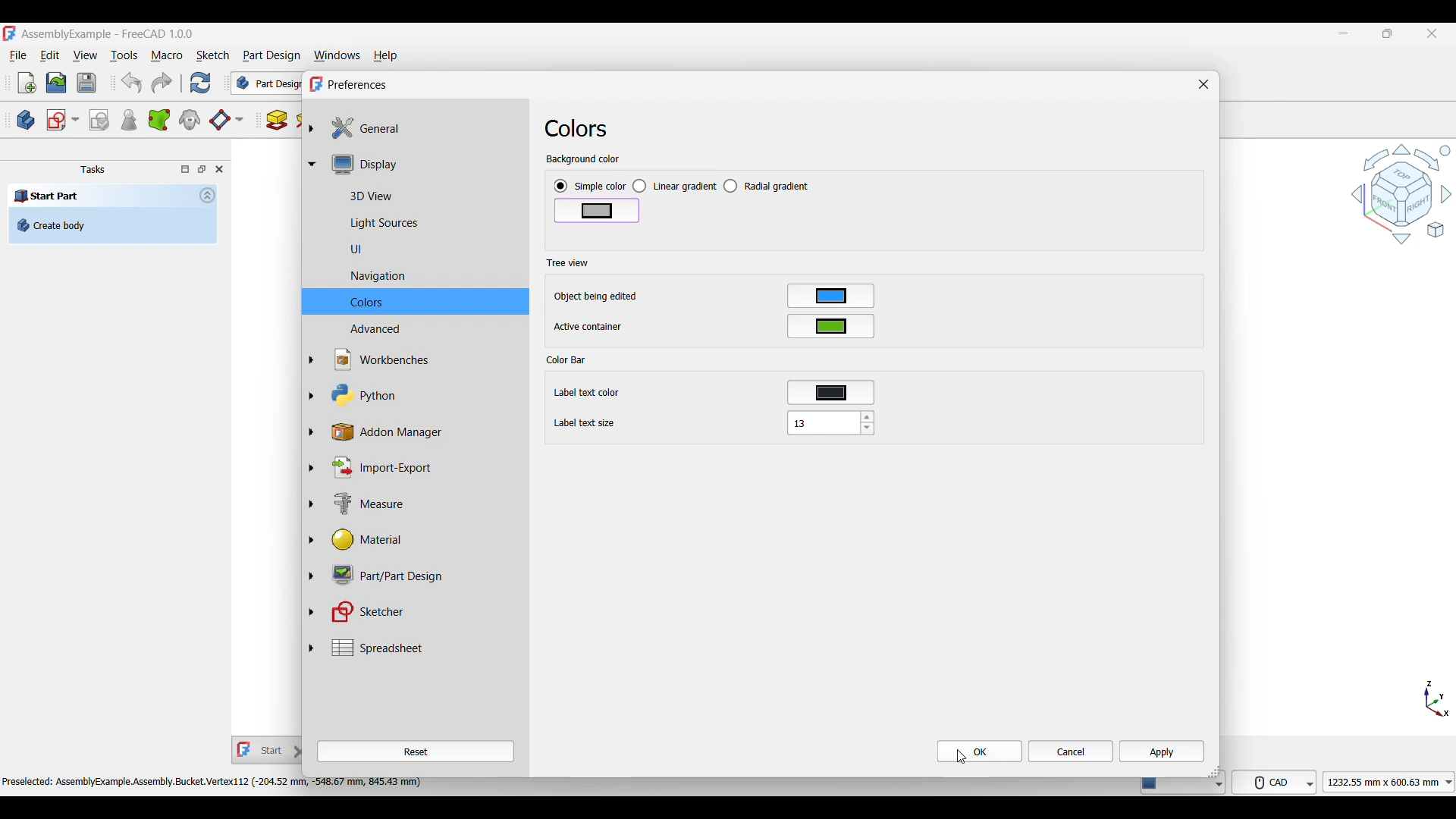  What do you see at coordinates (93, 170) in the screenshot?
I see `Tasks` at bounding box center [93, 170].